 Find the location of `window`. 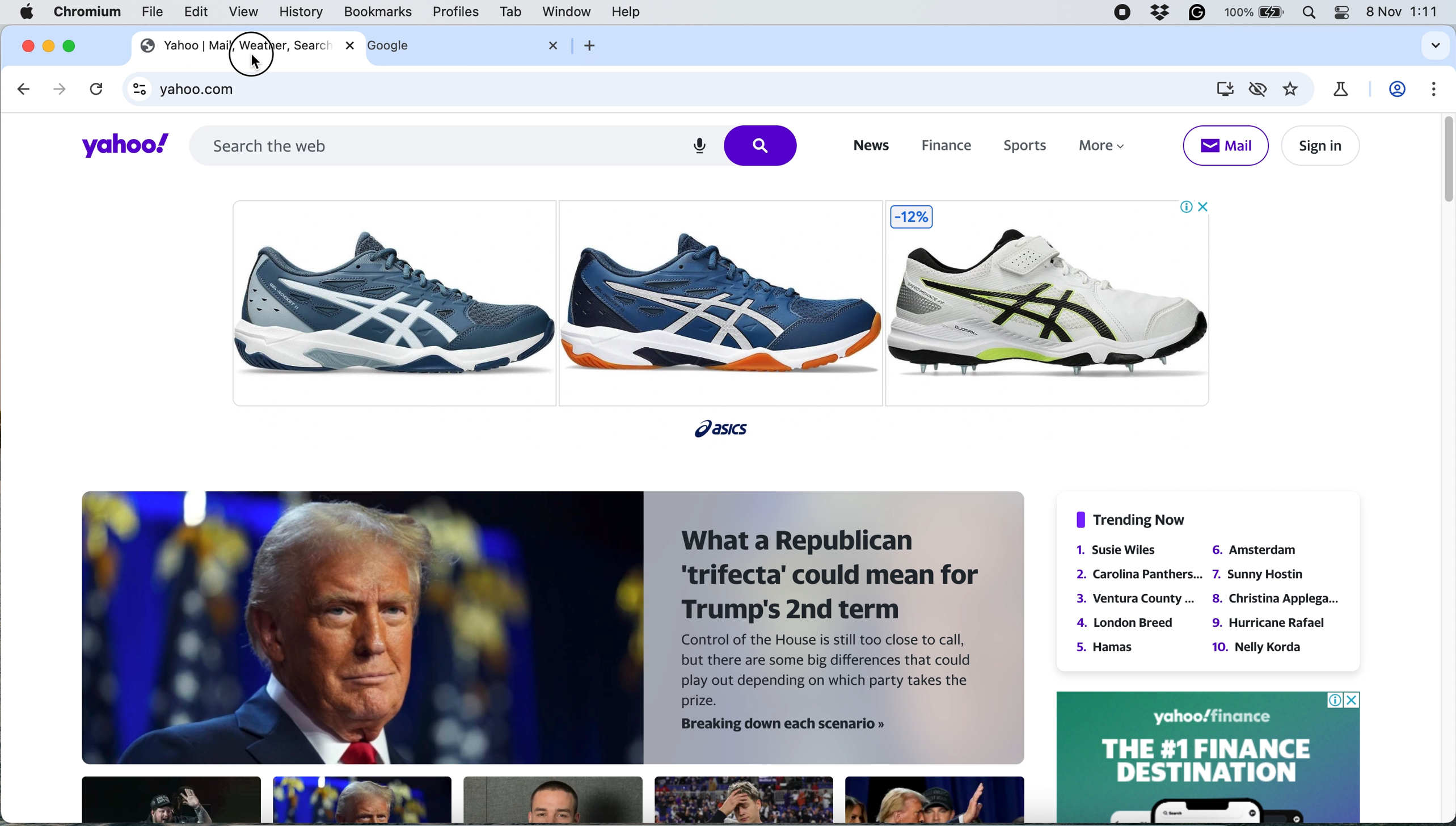

window is located at coordinates (567, 12).